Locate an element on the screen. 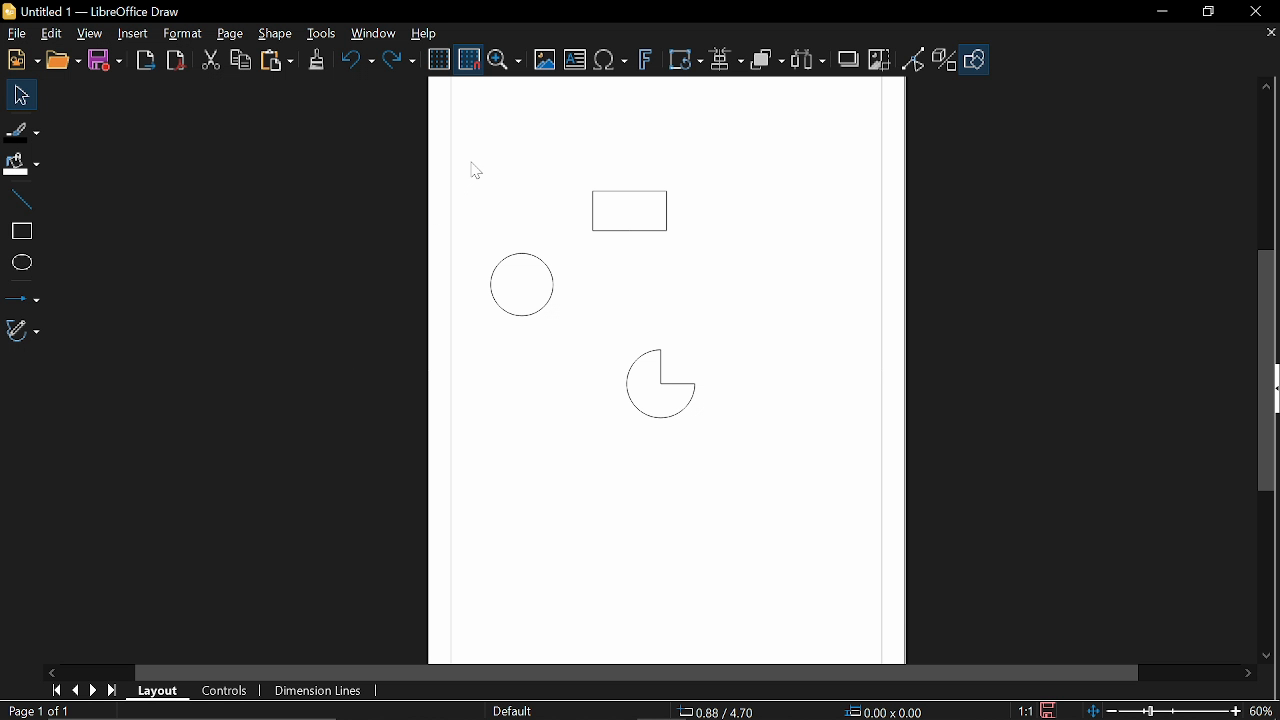 The image size is (1280, 720). Curves and polygons is located at coordinates (22, 331).